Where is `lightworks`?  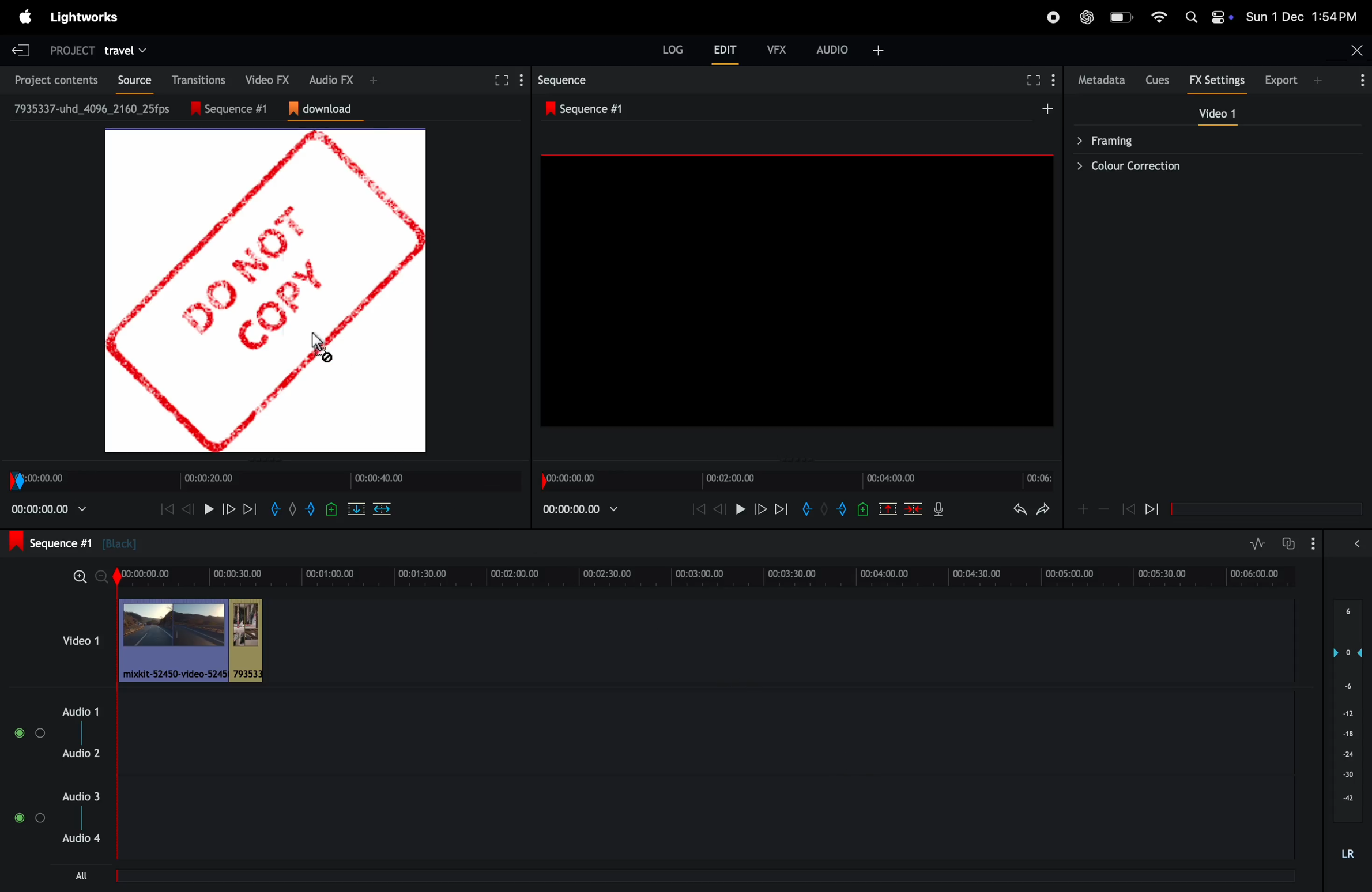 lightworks is located at coordinates (84, 17).